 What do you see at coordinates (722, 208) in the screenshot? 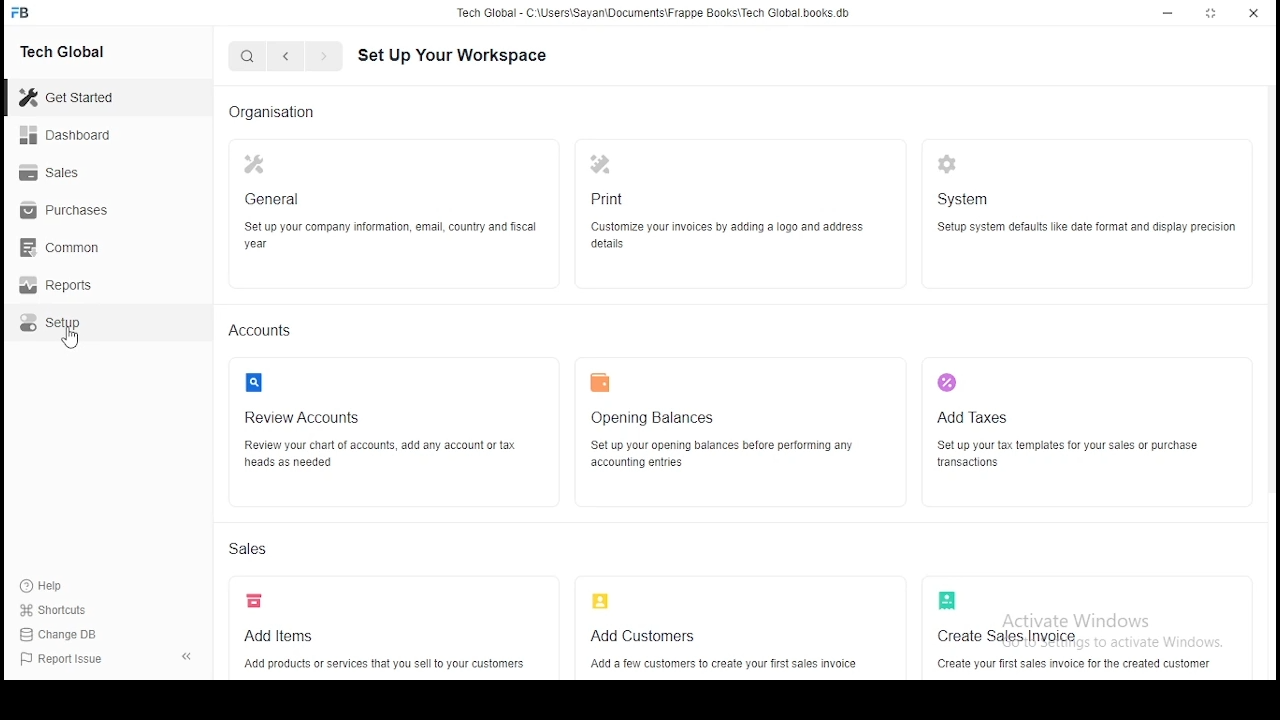
I see `Print ` at bounding box center [722, 208].